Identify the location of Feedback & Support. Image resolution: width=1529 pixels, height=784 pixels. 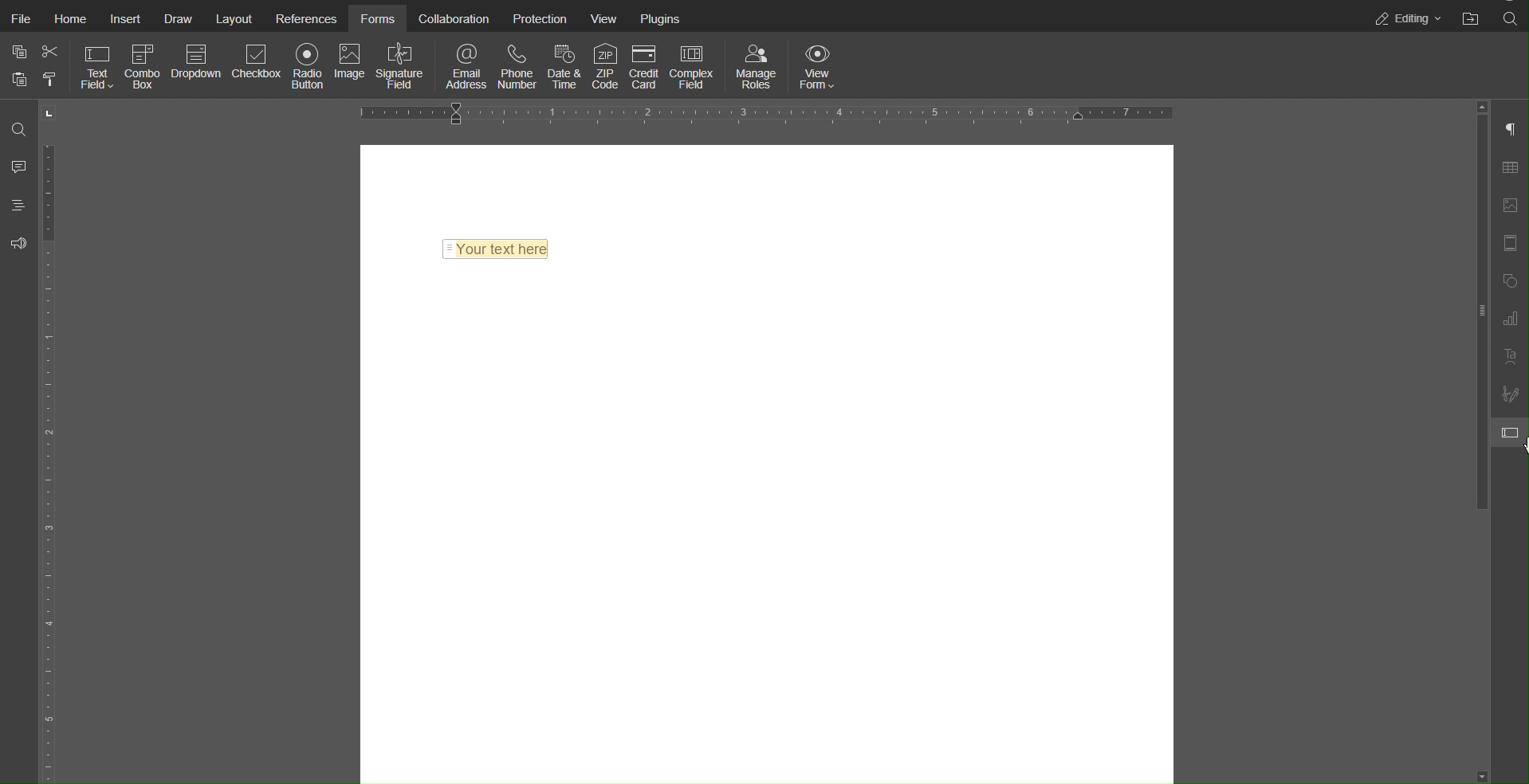
(20, 244).